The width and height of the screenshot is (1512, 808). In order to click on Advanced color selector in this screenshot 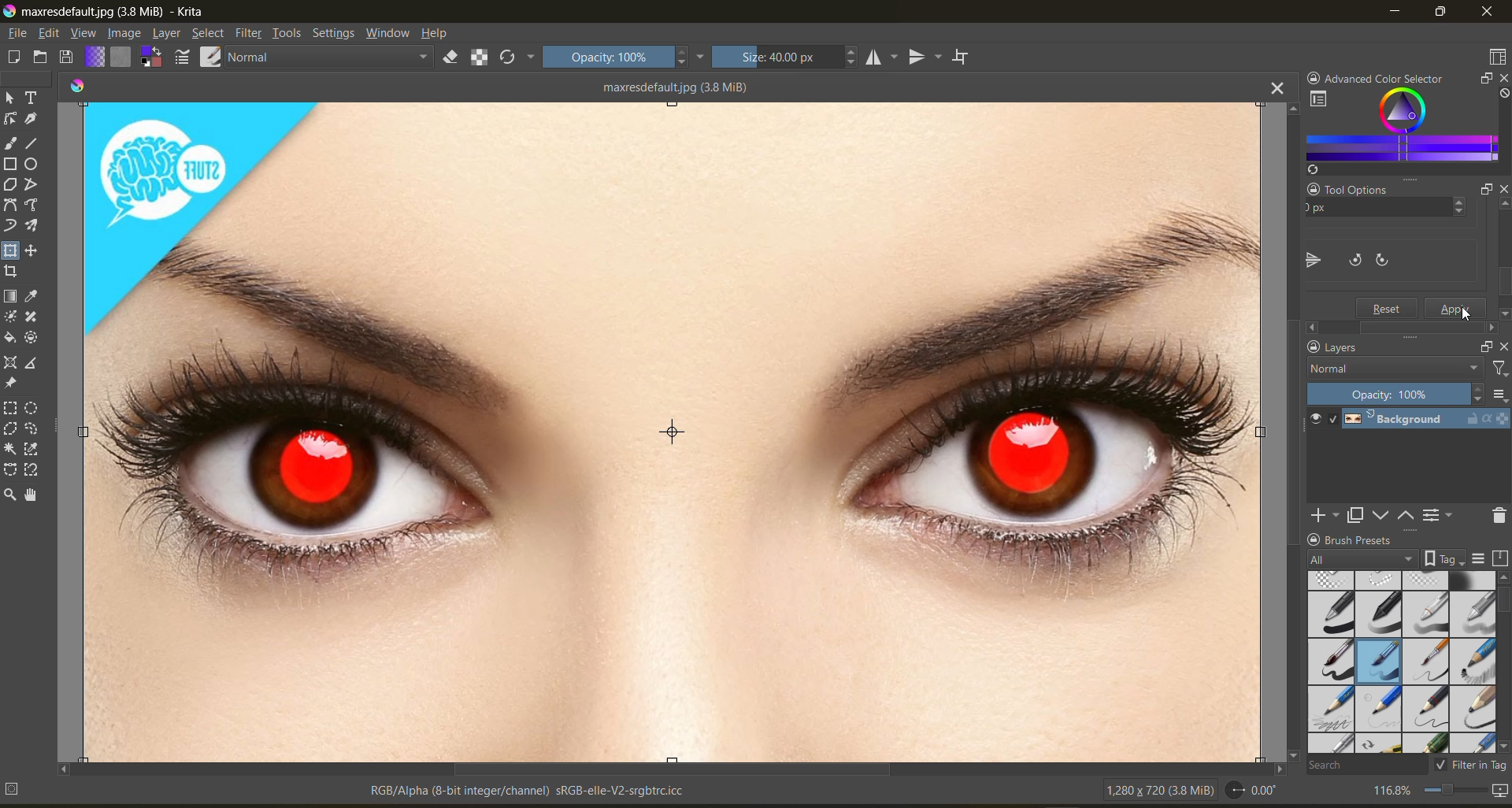, I will do `click(1390, 75)`.